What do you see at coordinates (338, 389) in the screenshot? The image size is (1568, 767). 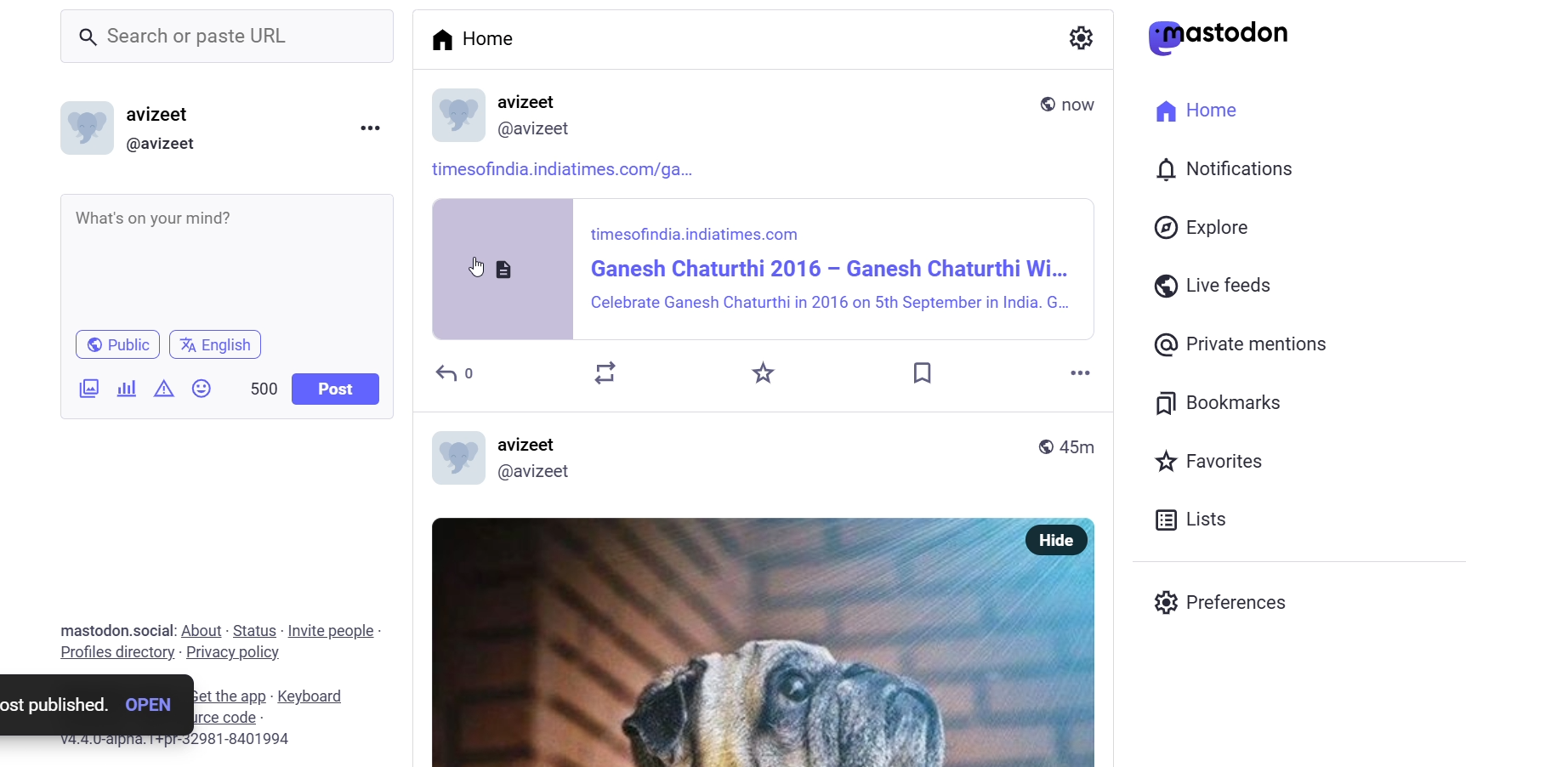 I see `Post` at bounding box center [338, 389].